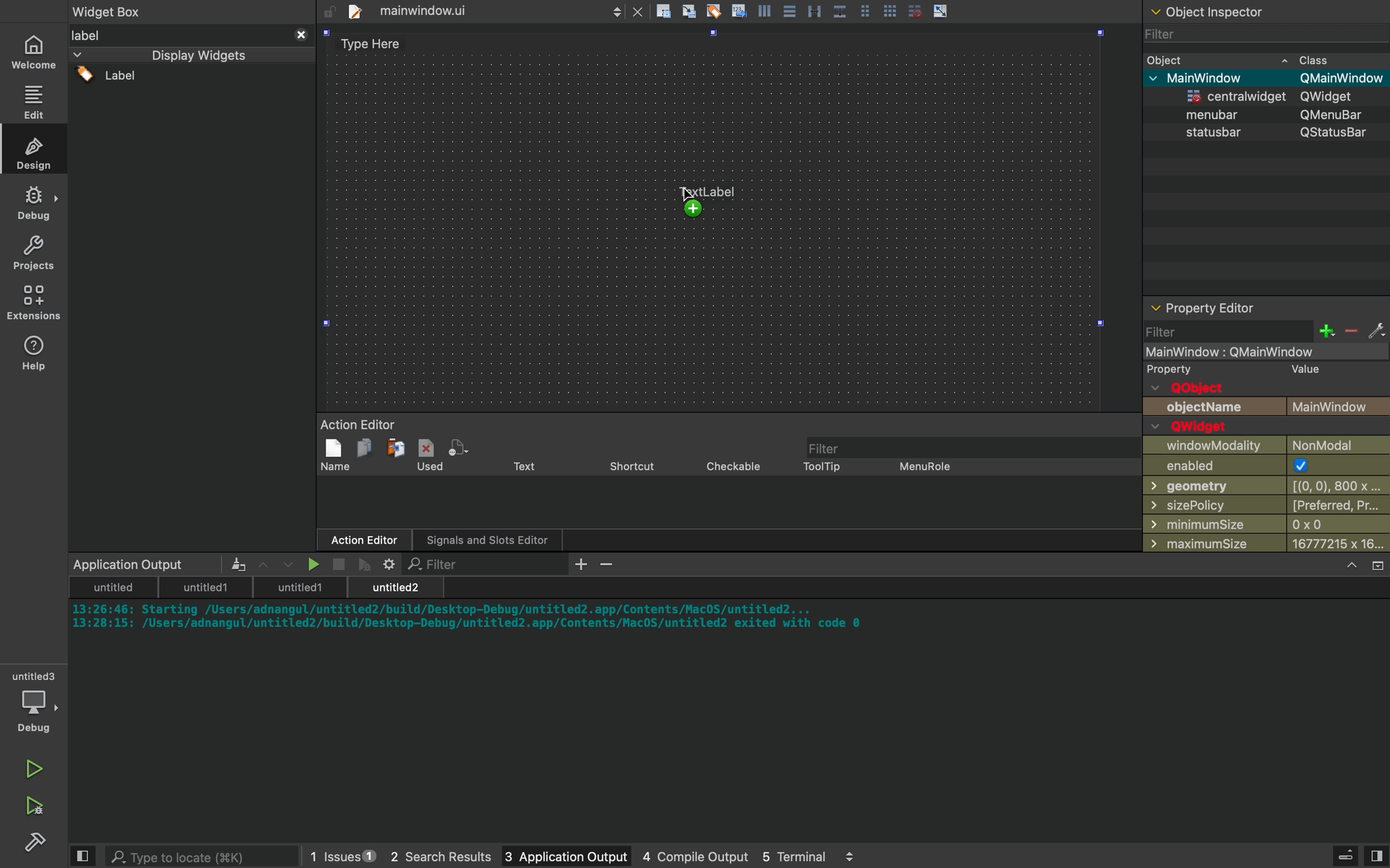 This screenshot has height=868, width=1390. What do you see at coordinates (34, 203) in the screenshot?
I see `` at bounding box center [34, 203].